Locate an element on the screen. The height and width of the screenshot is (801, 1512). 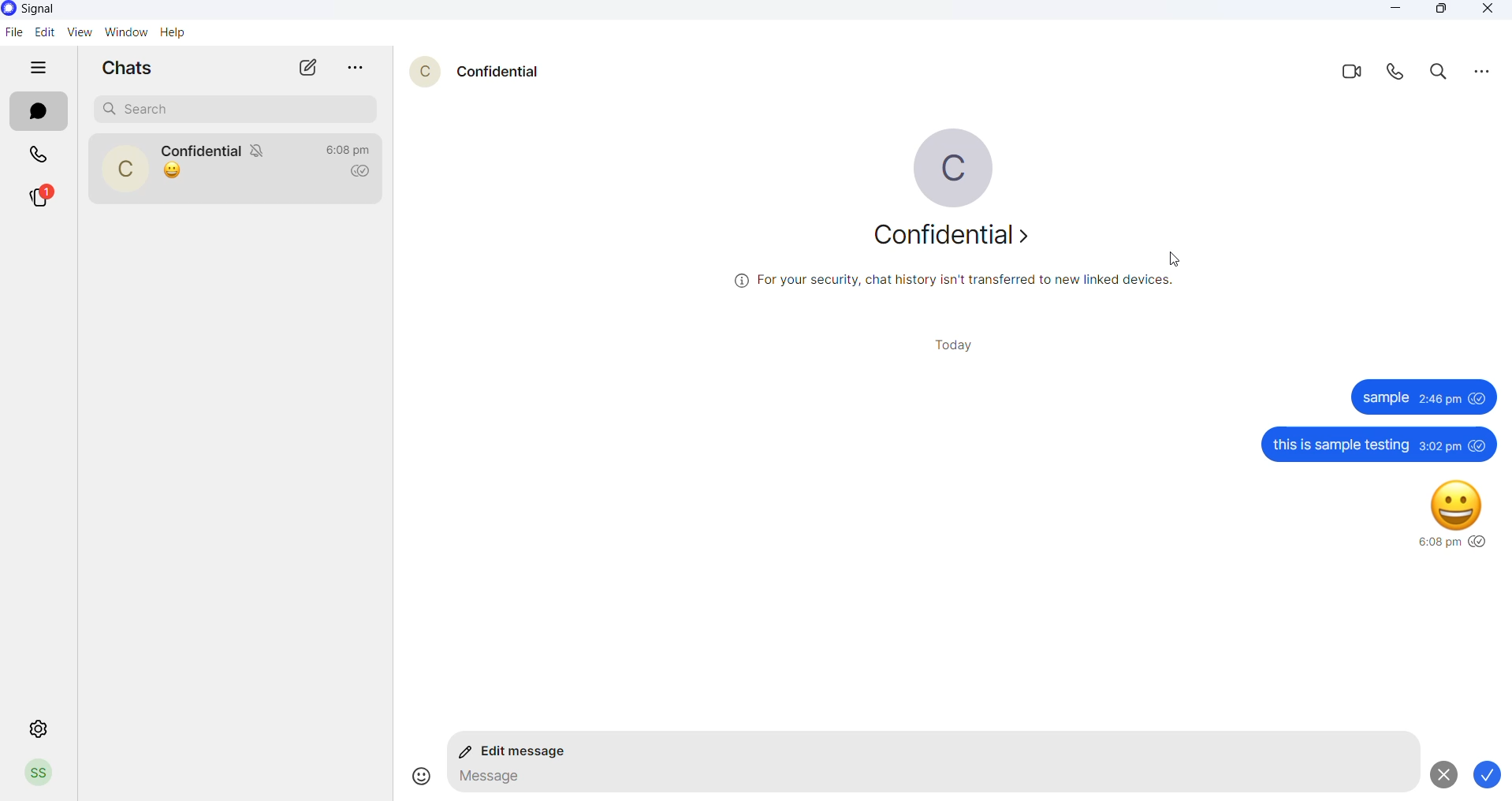
profile picture is located at coordinates (39, 774).